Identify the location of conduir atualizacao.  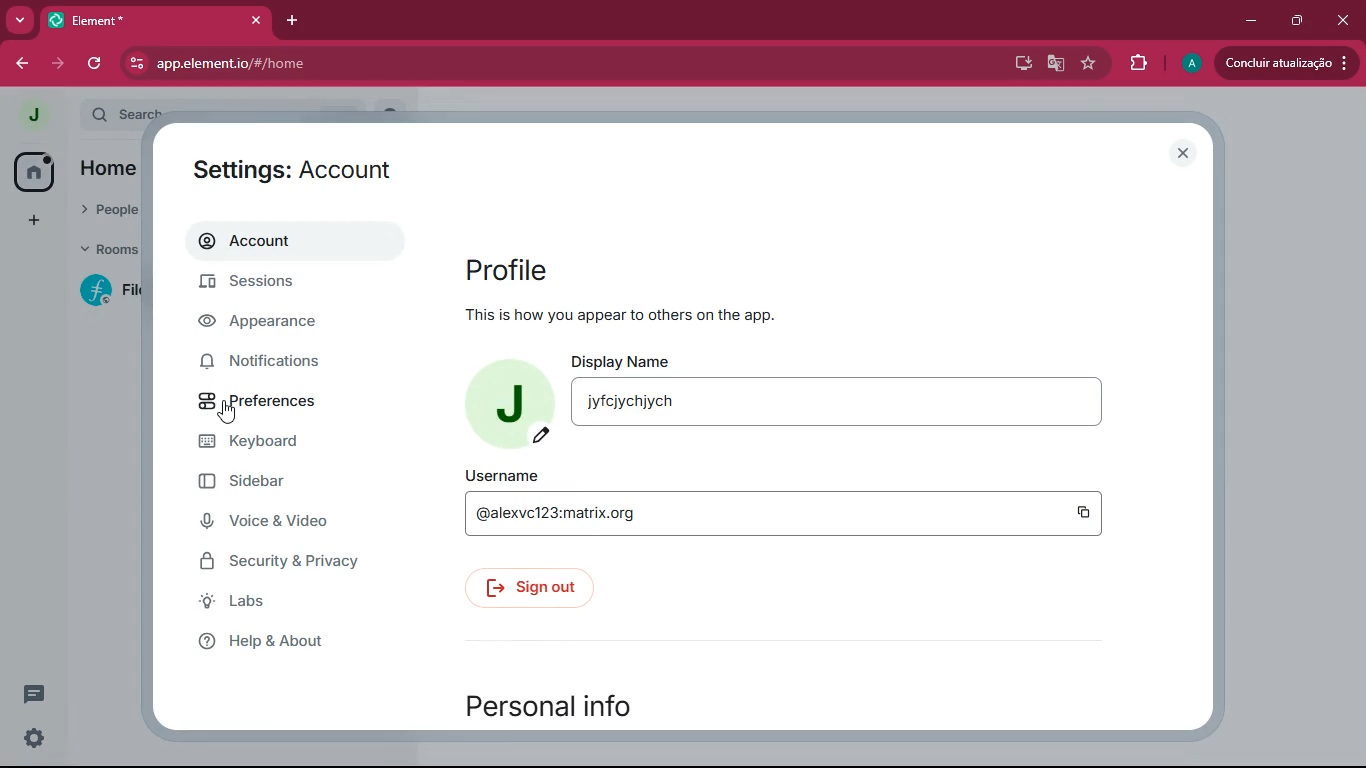
(1285, 63).